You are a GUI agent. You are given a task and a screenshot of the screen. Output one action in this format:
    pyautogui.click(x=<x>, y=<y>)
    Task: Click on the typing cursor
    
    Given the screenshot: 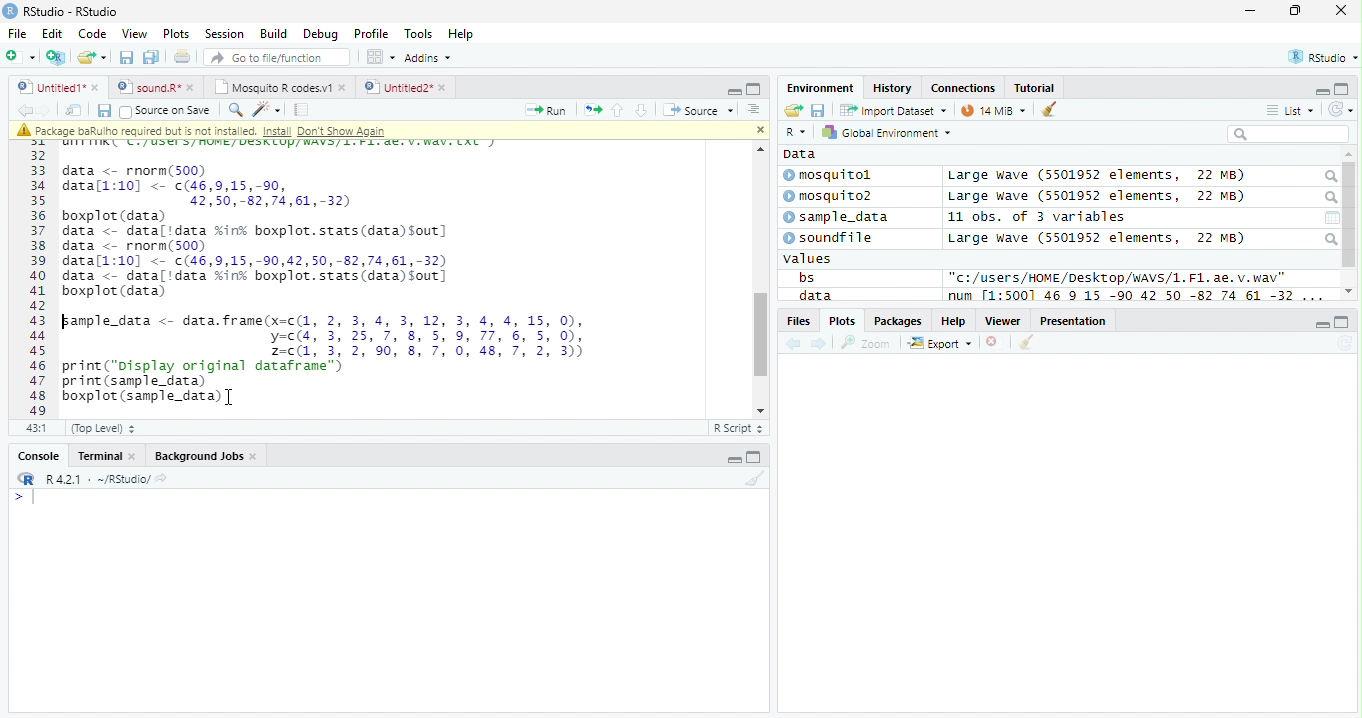 What is the action you would take?
    pyautogui.click(x=24, y=498)
    